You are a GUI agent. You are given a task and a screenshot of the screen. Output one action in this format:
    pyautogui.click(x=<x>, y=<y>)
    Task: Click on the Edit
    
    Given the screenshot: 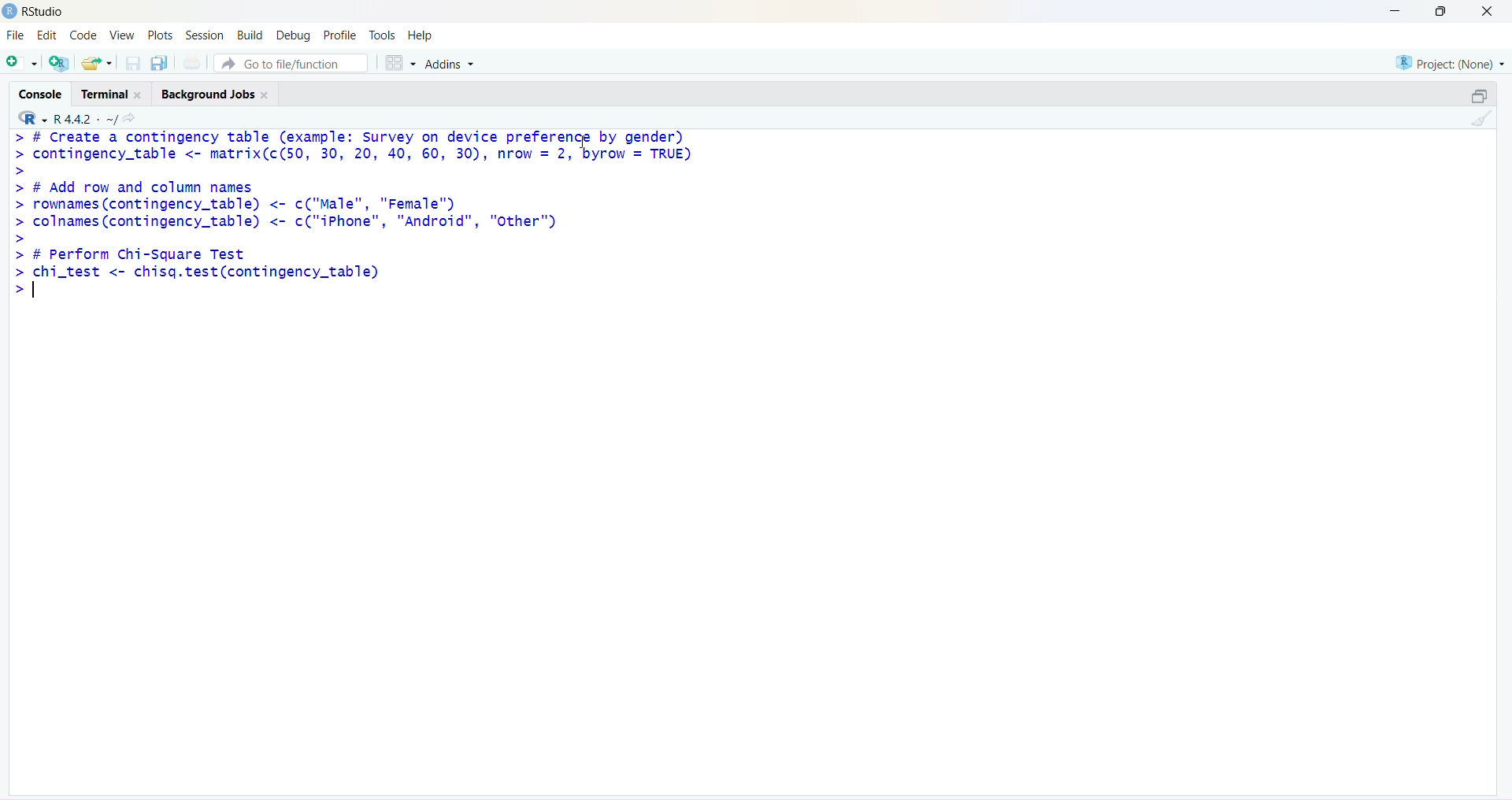 What is the action you would take?
    pyautogui.click(x=47, y=35)
    